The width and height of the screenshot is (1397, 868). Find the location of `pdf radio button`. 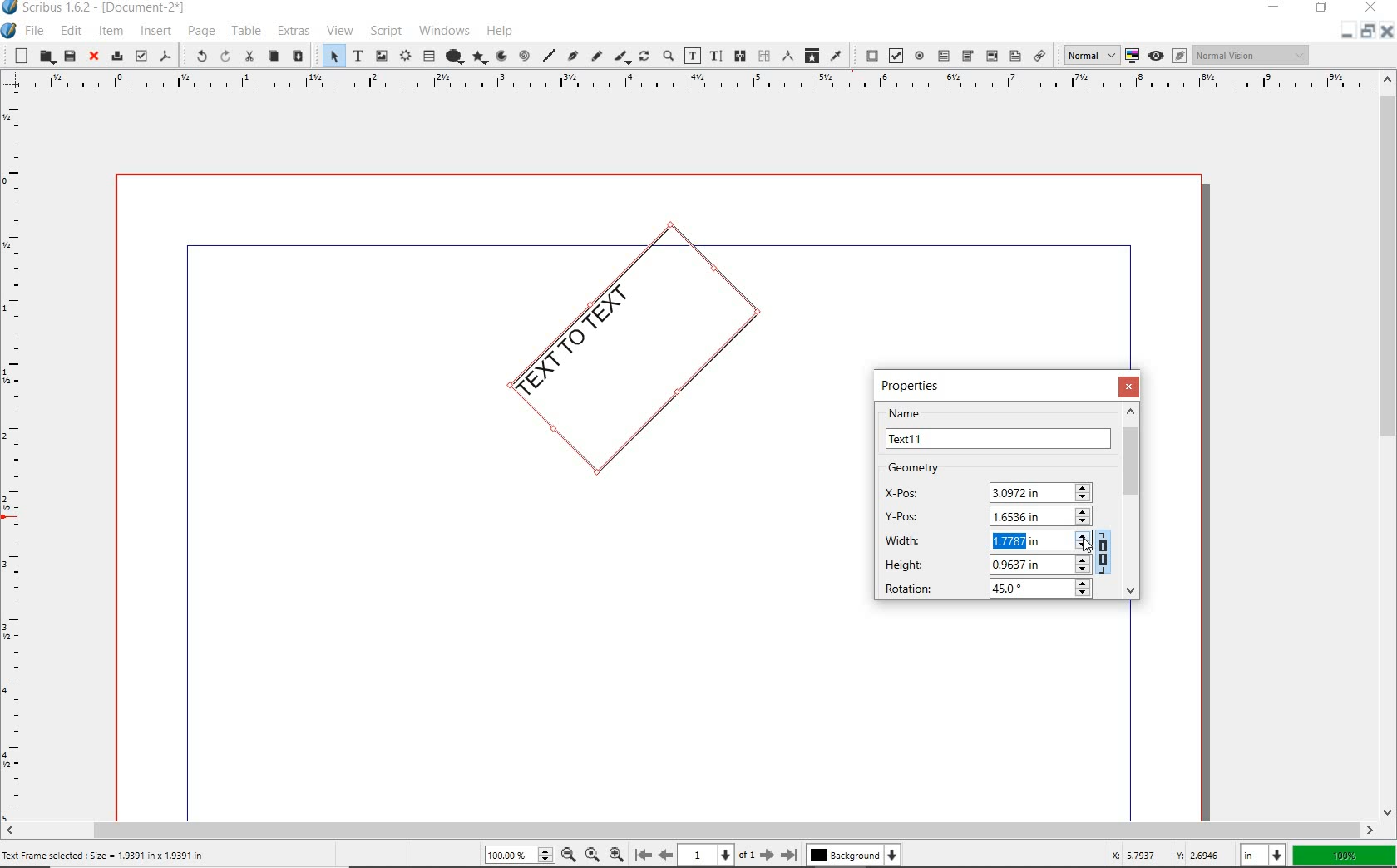

pdf radio button is located at coordinates (919, 56).